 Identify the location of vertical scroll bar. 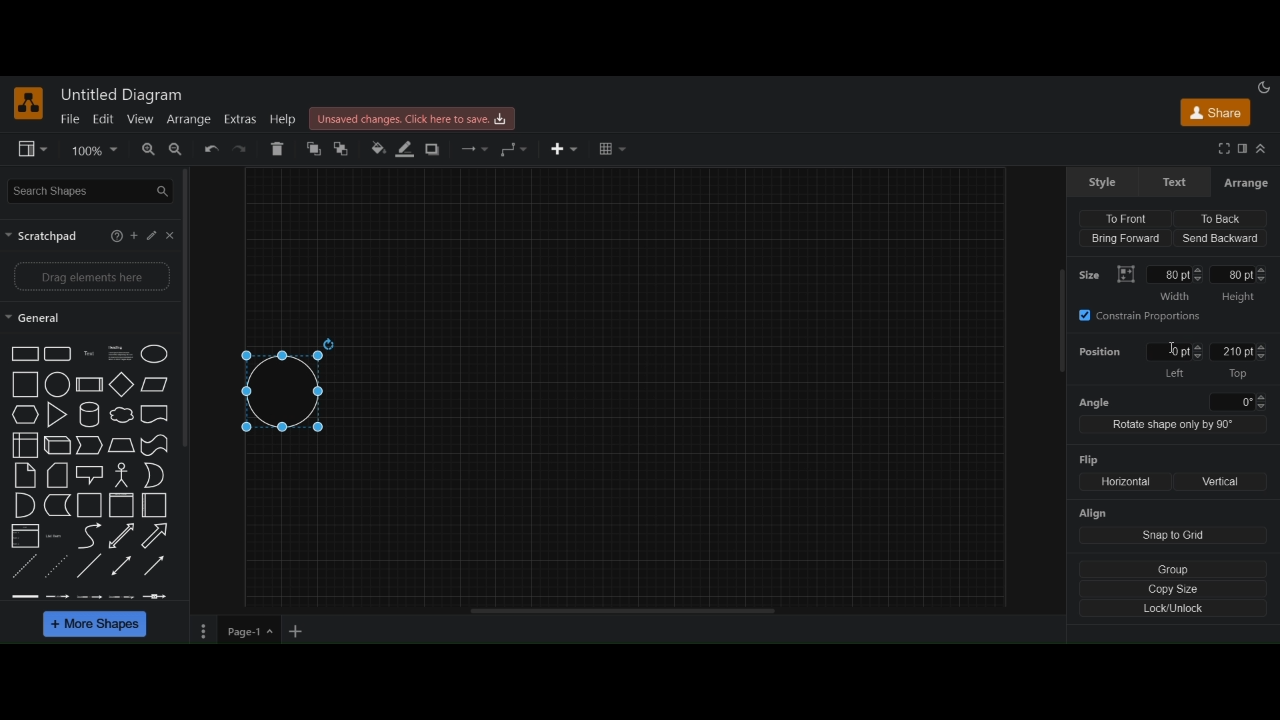
(191, 307).